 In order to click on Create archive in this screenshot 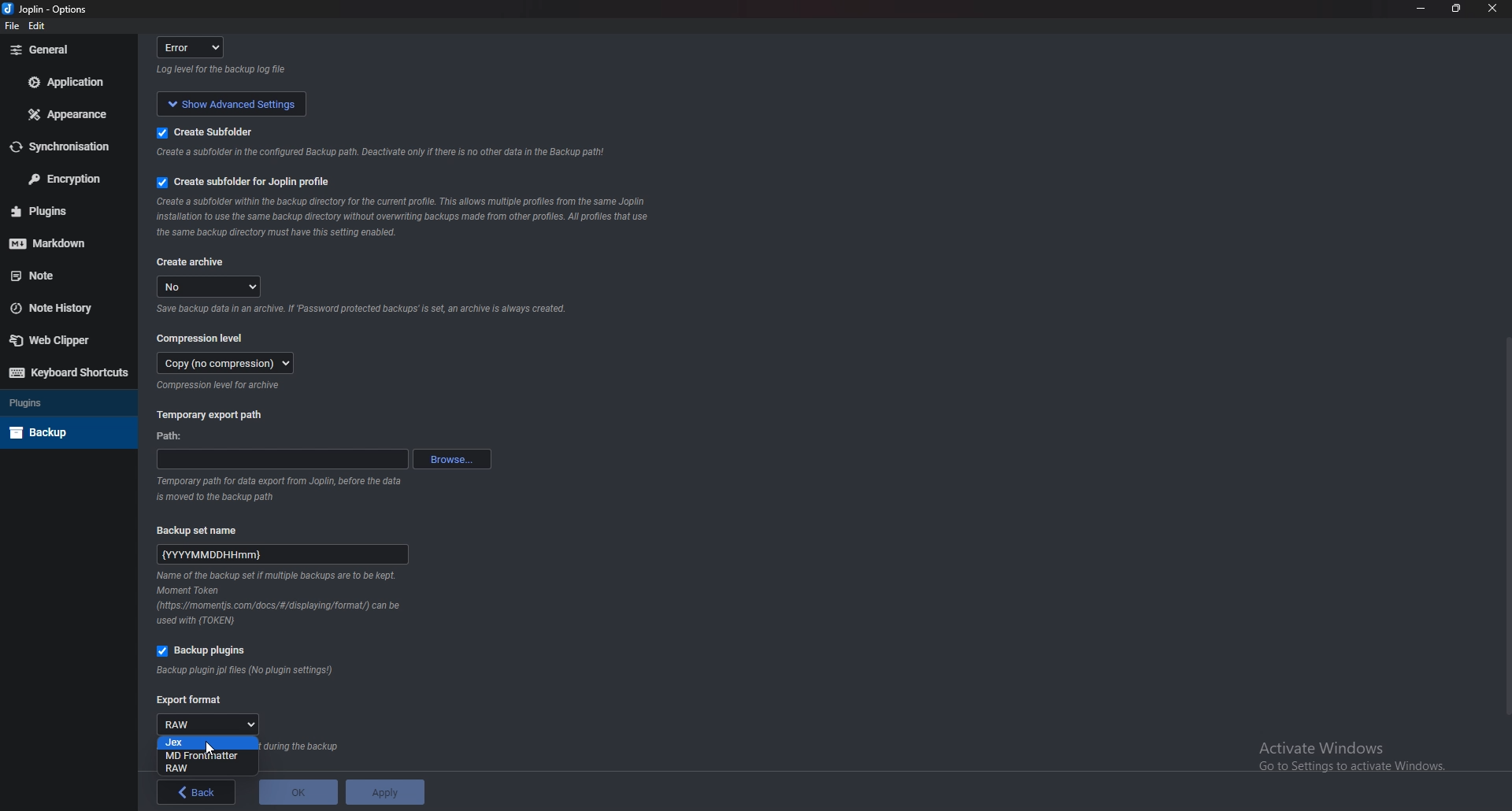, I will do `click(191, 263)`.